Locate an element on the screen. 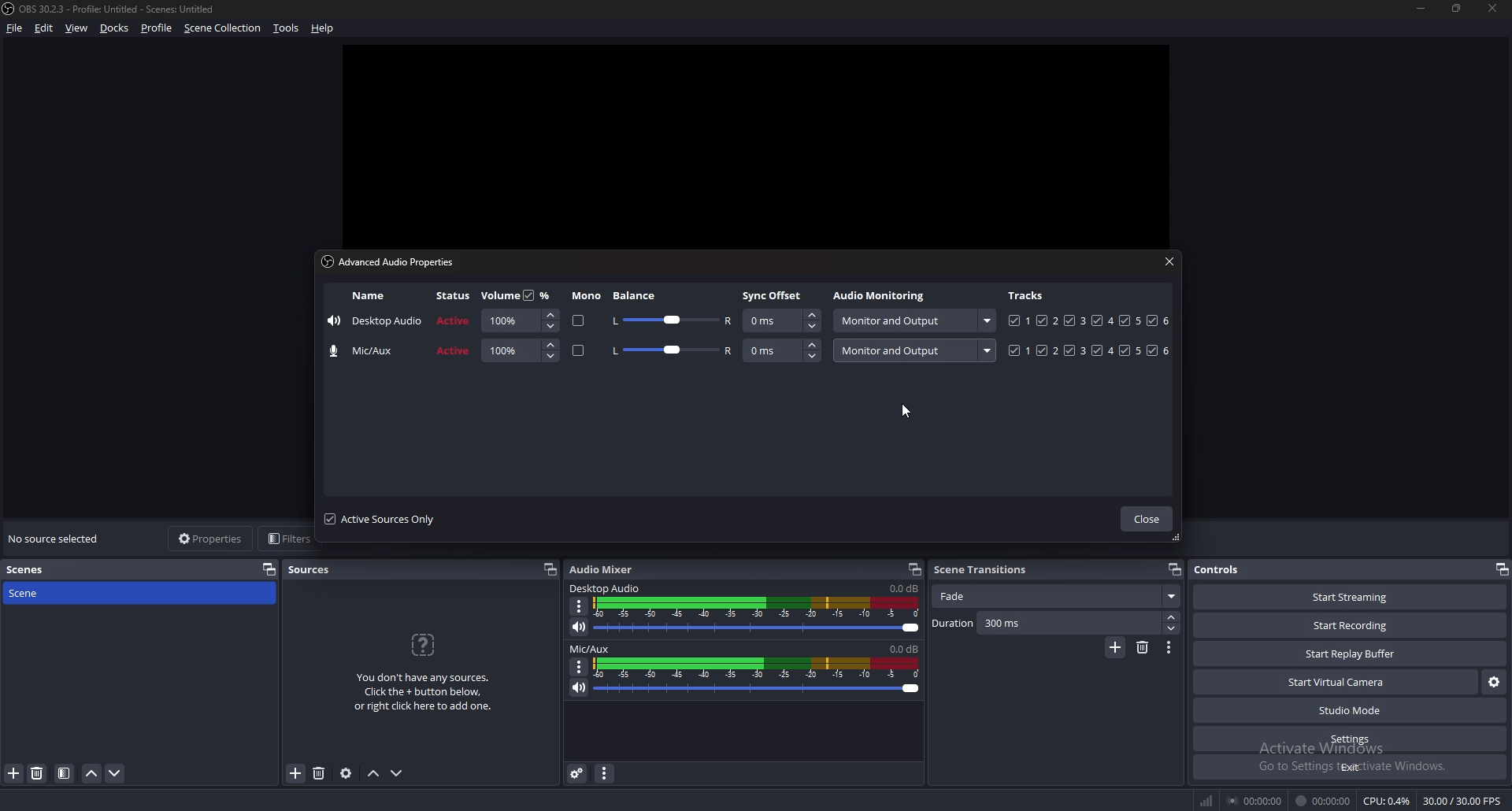  profile is located at coordinates (157, 28).